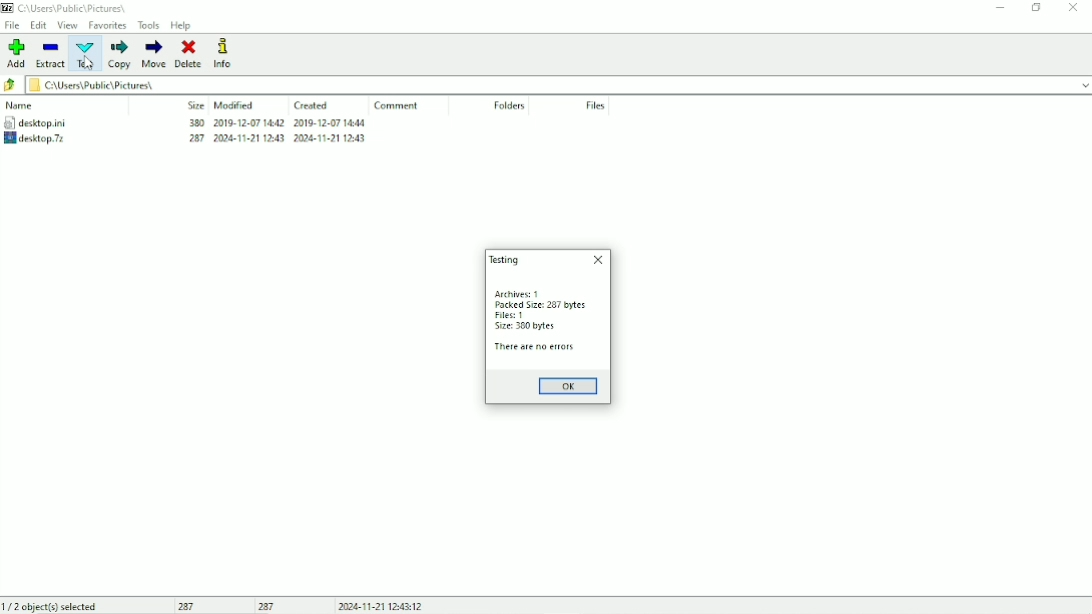 This screenshot has width=1092, height=614. What do you see at coordinates (8, 7) in the screenshot?
I see `7 zip logo` at bounding box center [8, 7].